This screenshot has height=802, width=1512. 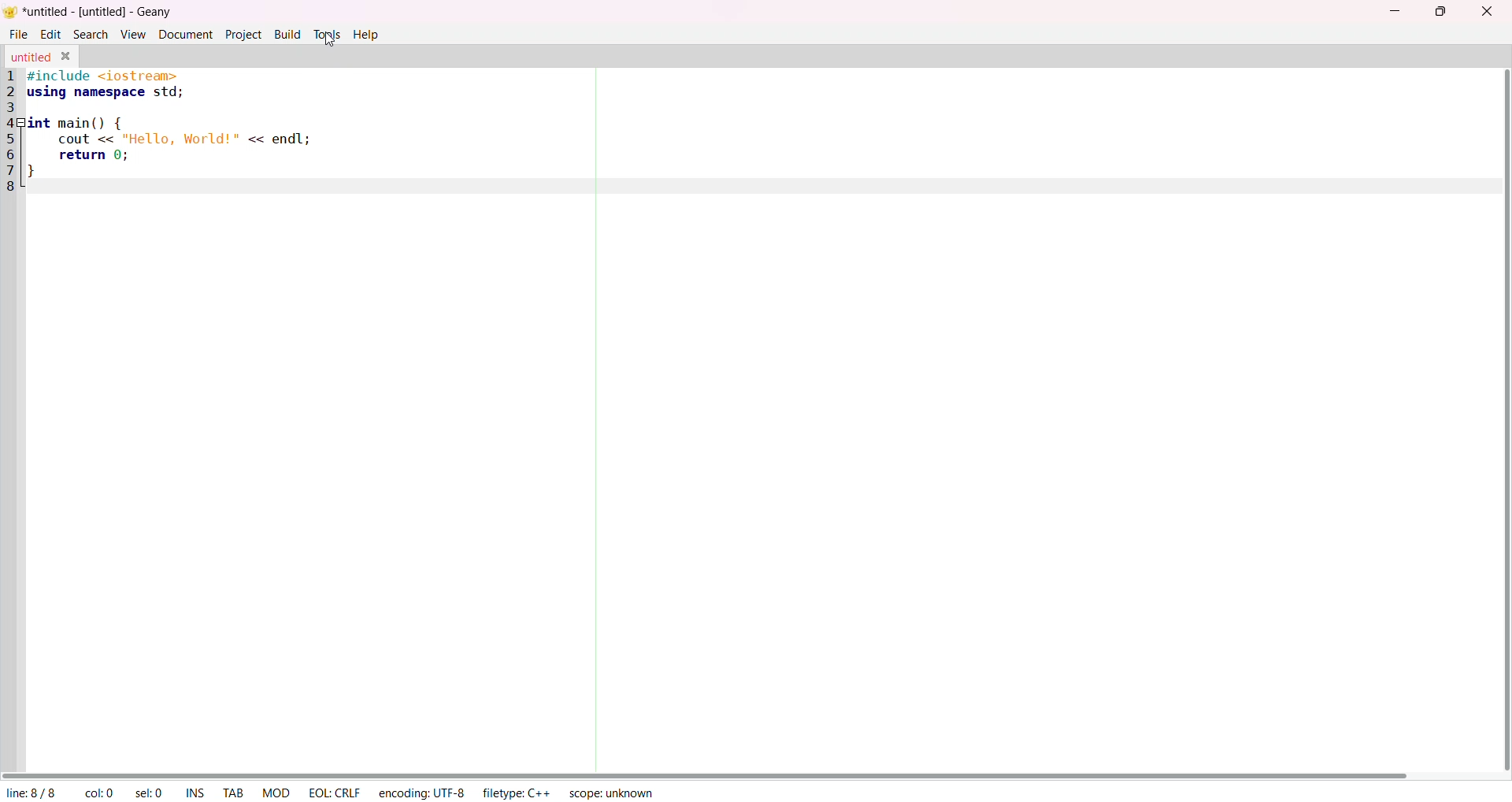 I want to click on vertical scroll bar, so click(x=1502, y=421).